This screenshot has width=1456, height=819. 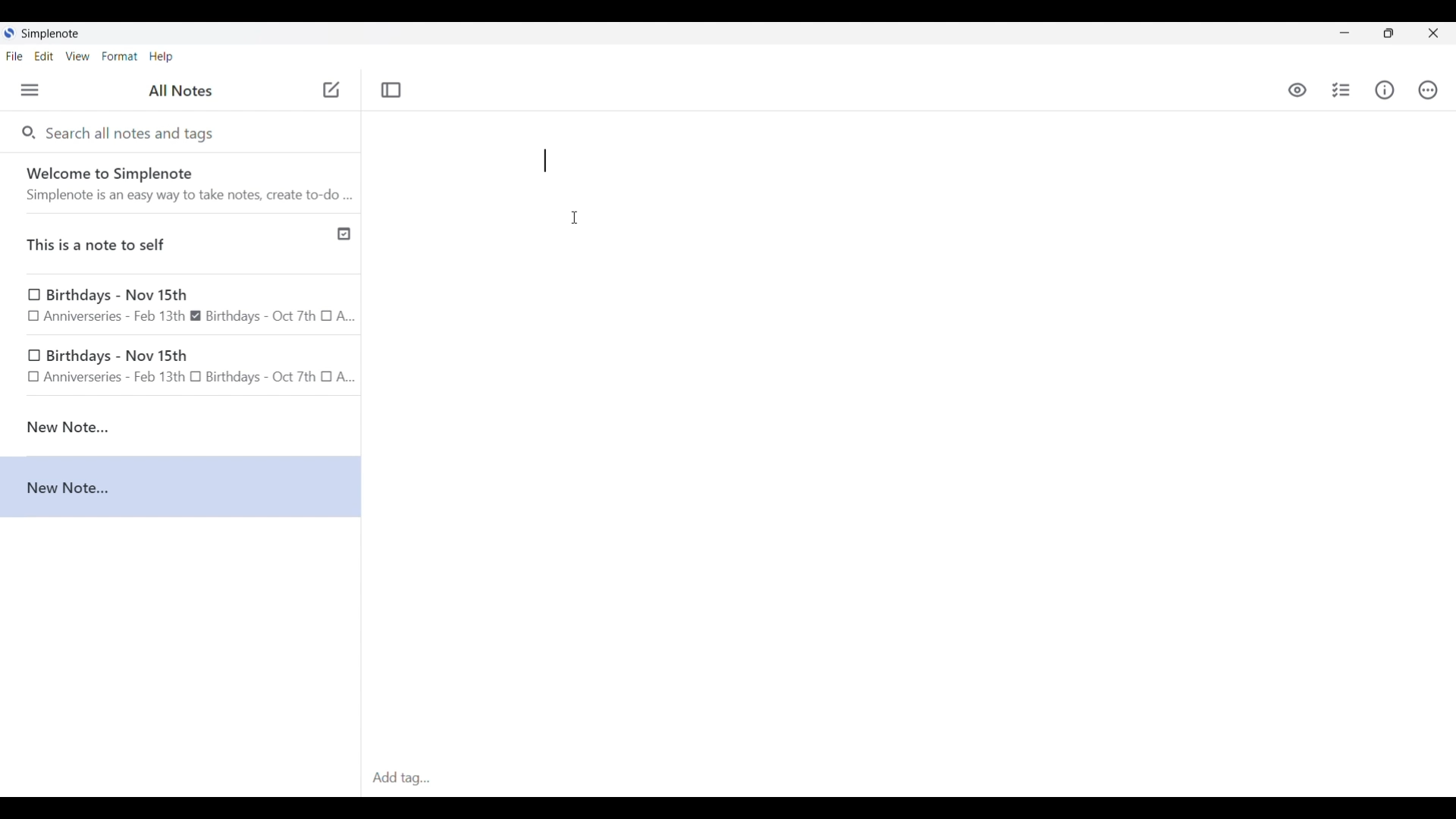 I want to click on Typing "**", so click(x=545, y=161).